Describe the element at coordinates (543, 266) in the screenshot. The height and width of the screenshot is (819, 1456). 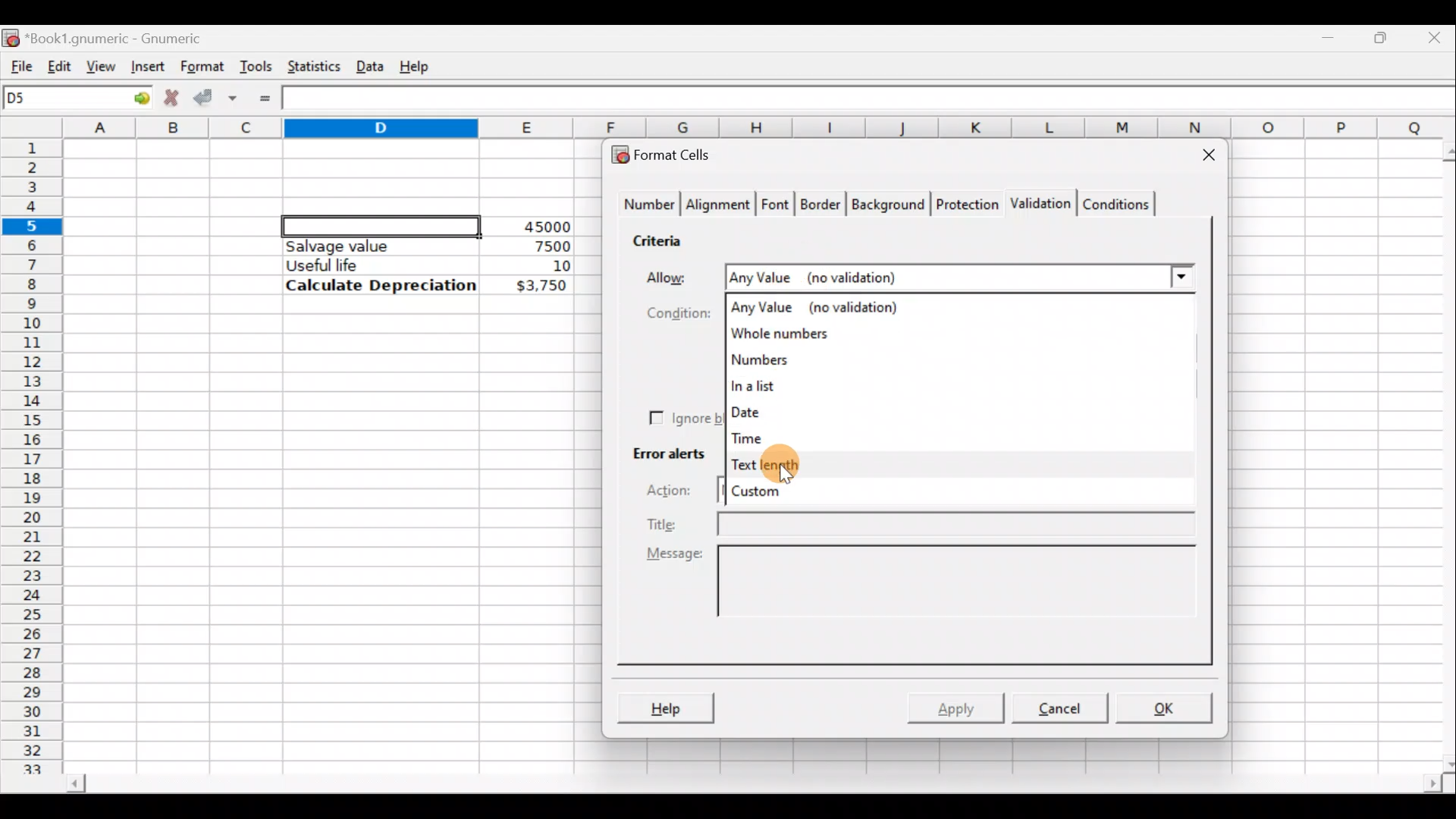
I see `10` at that location.